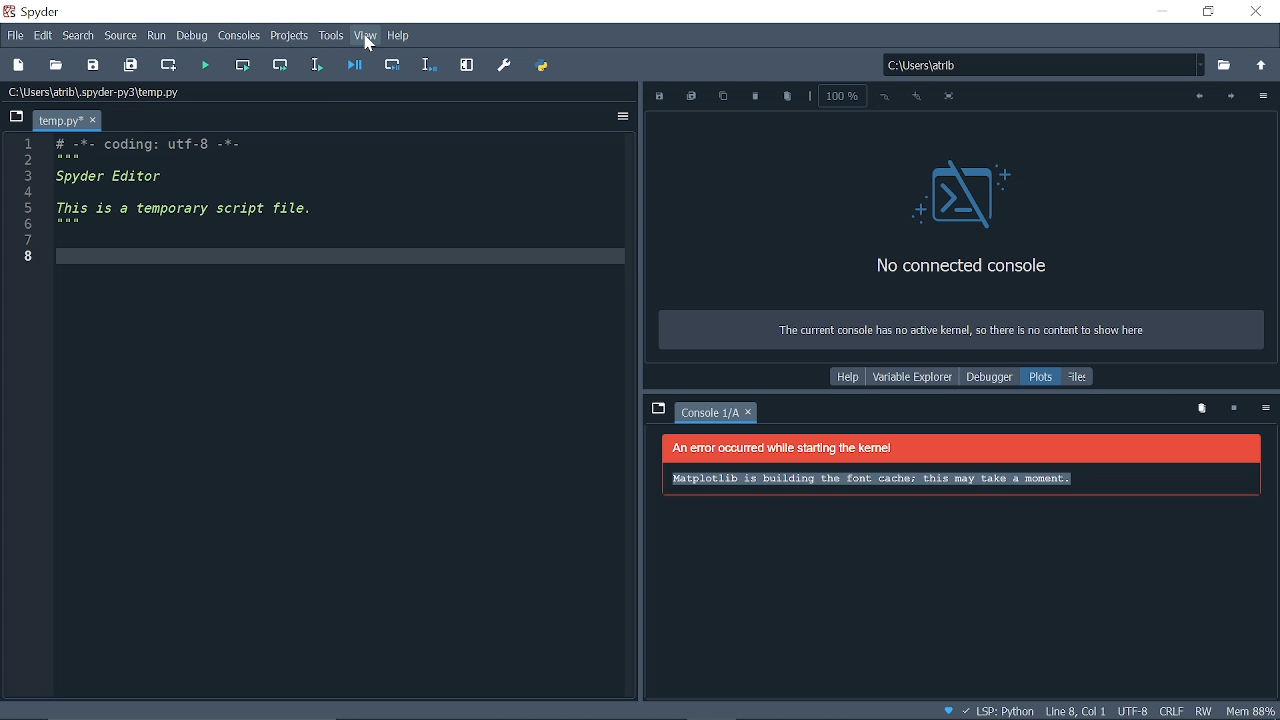 This screenshot has height=720, width=1280. I want to click on Current window, so click(36, 11).